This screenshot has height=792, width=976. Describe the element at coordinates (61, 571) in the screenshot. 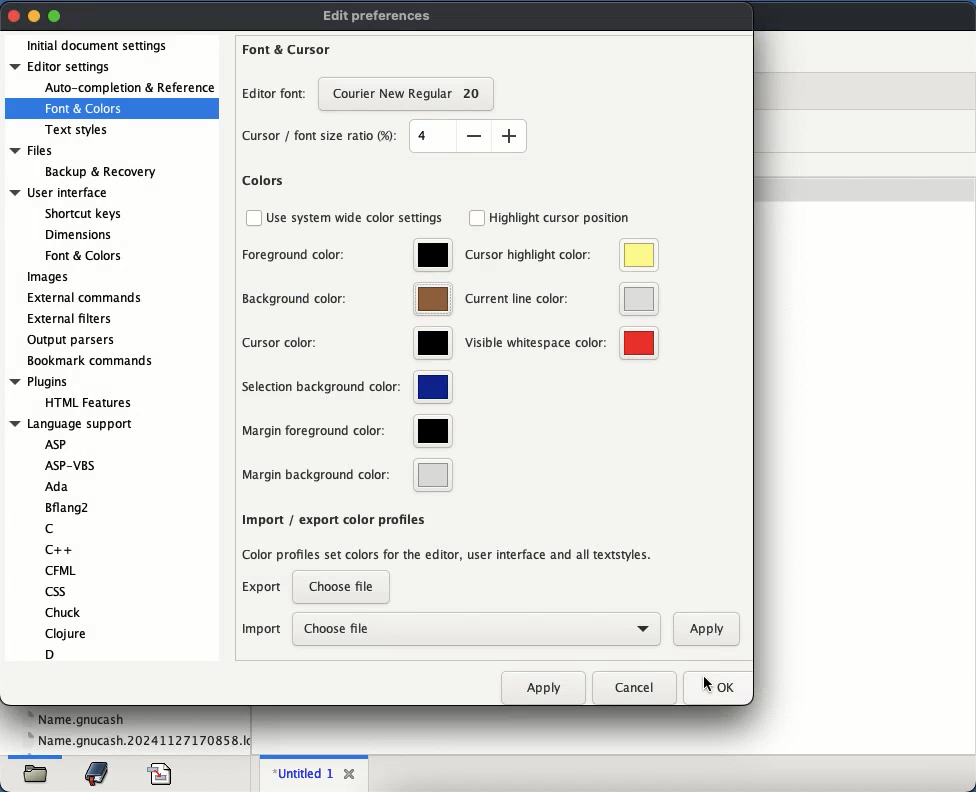

I see `CFML` at that location.